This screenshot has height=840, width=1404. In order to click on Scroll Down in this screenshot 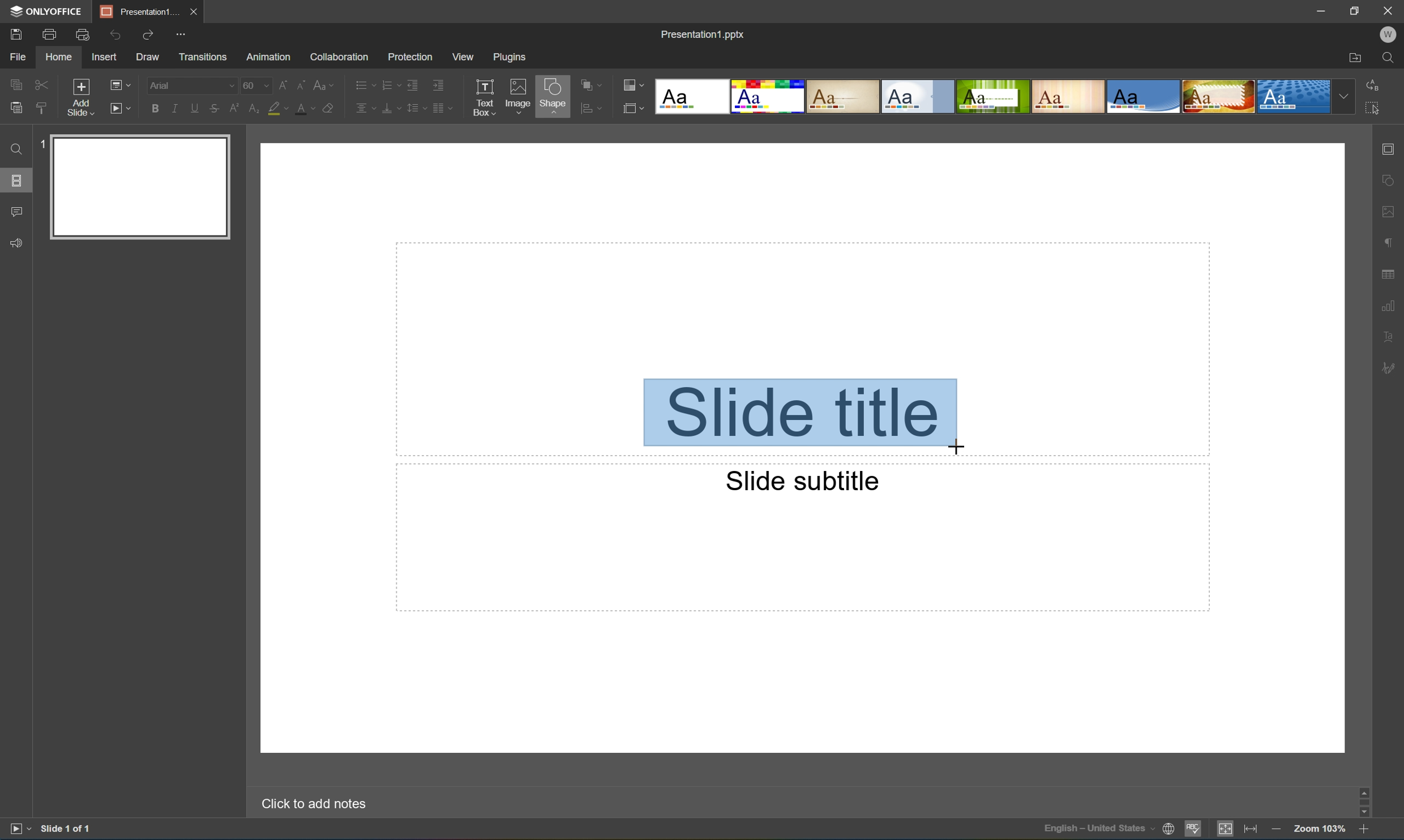, I will do `click(1361, 816)`.